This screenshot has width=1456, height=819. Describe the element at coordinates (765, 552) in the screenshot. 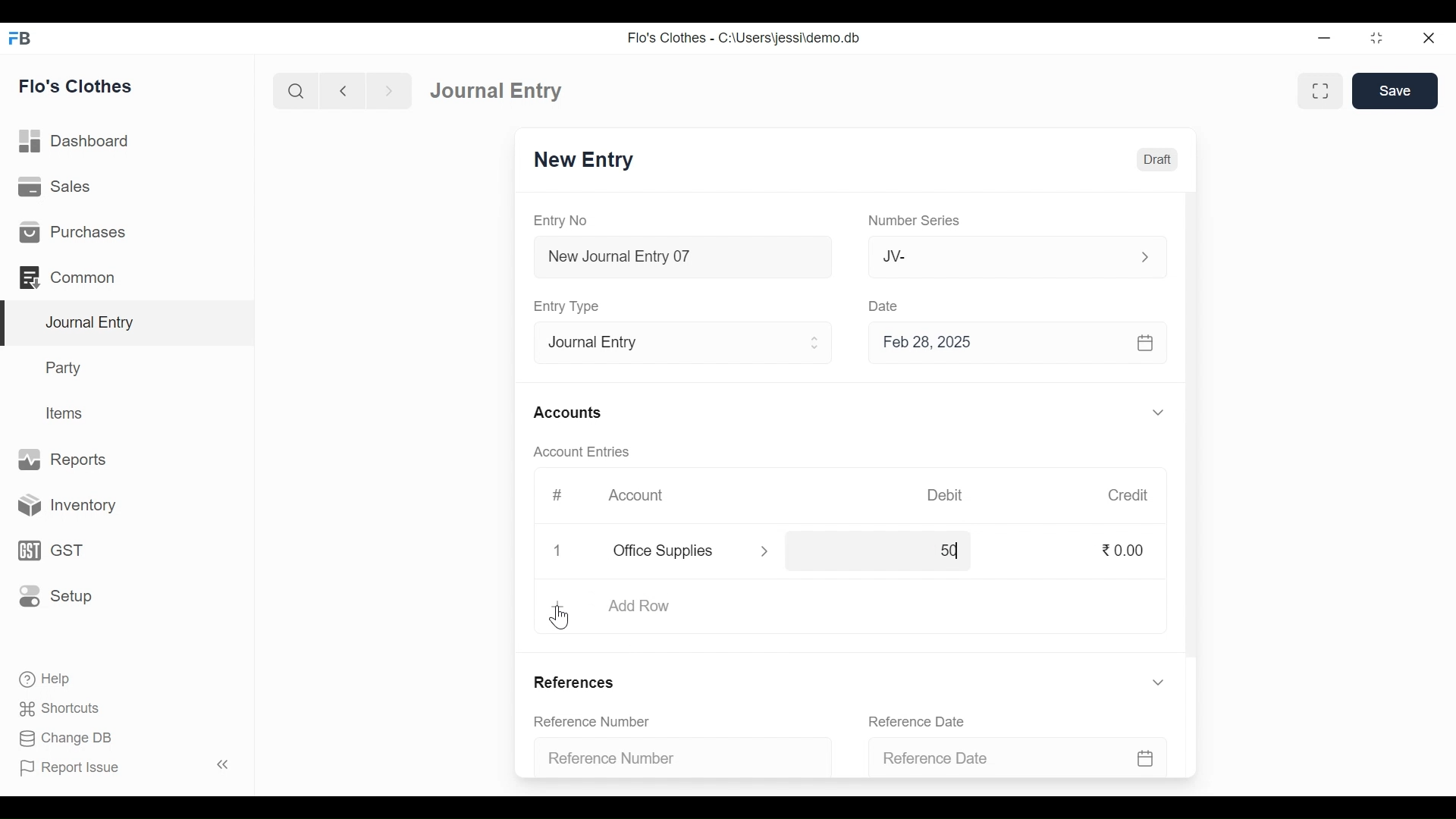

I see `Expand` at that location.